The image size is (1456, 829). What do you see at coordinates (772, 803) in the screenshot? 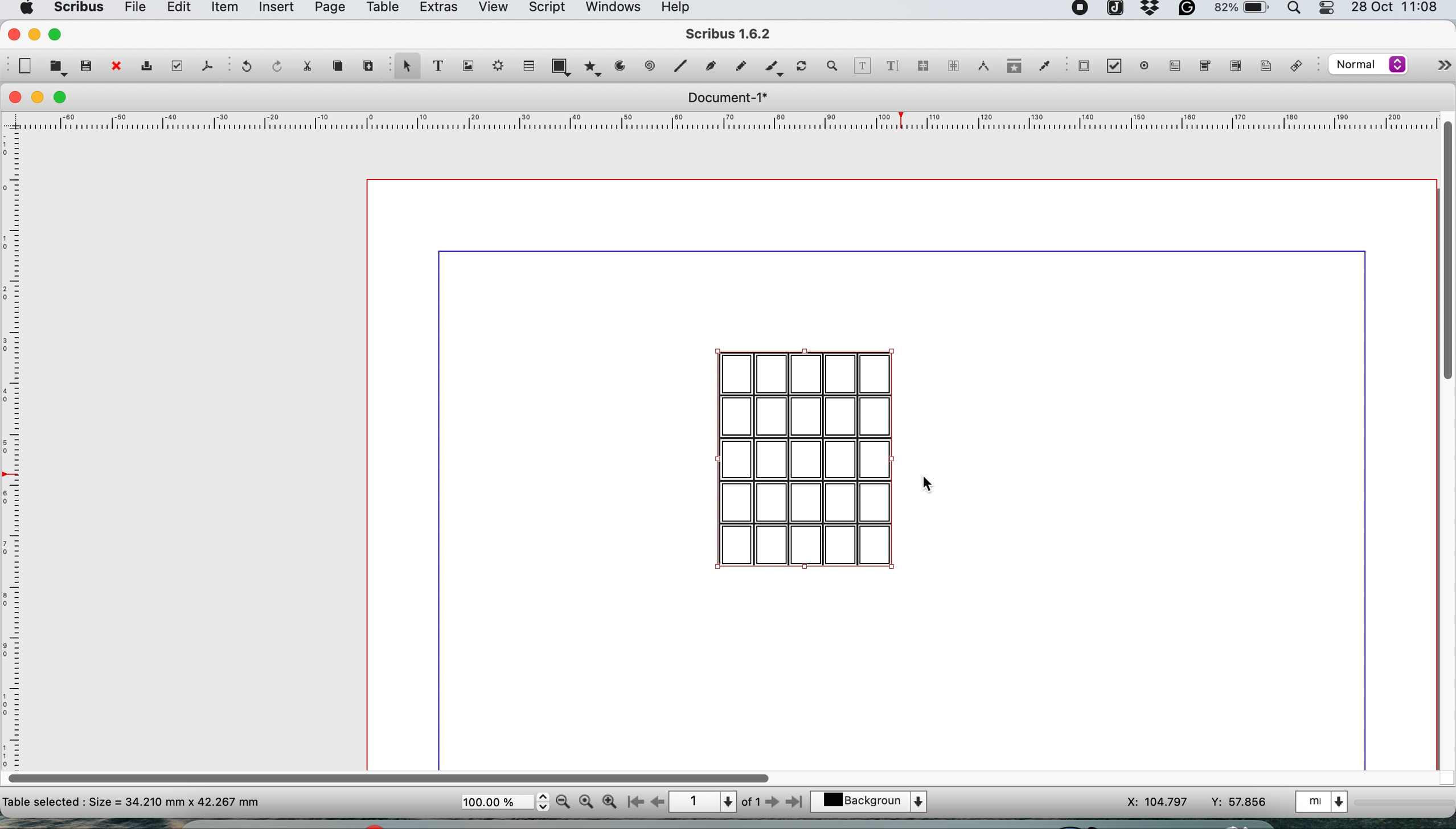
I see `go to next page` at bounding box center [772, 803].